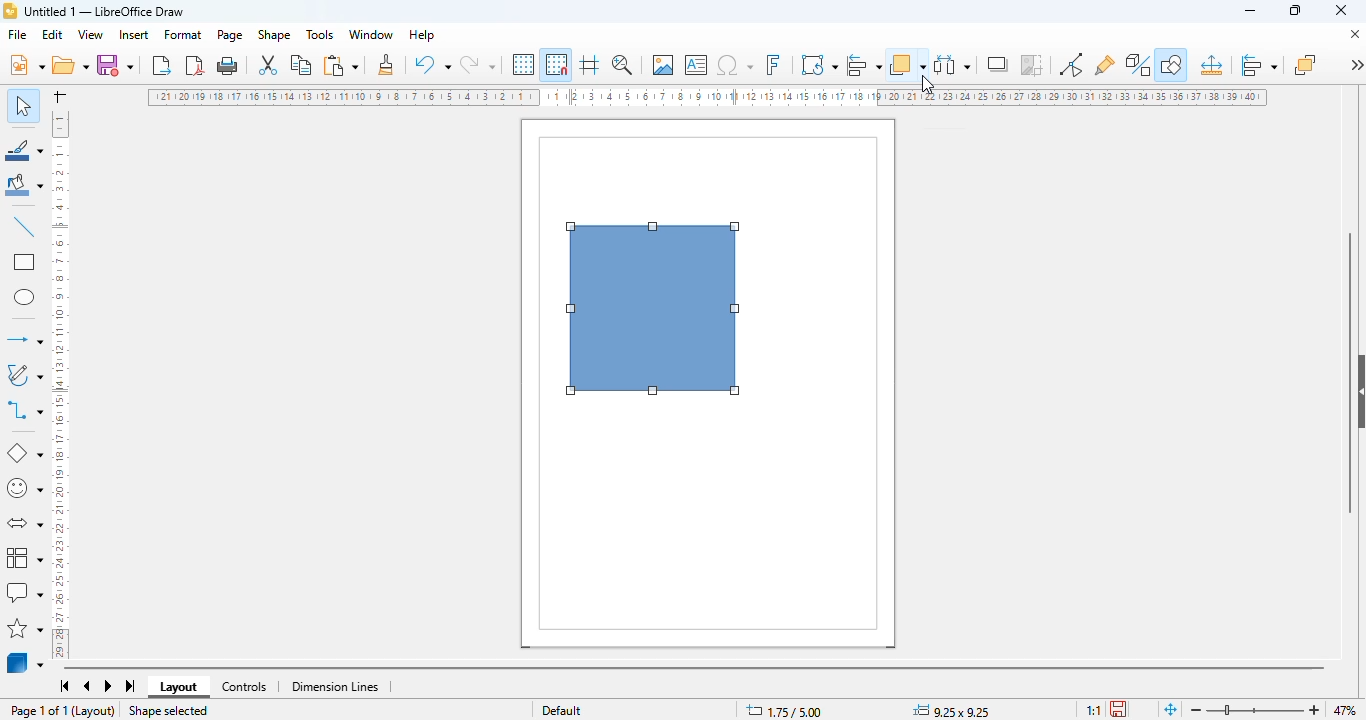  What do you see at coordinates (1033, 65) in the screenshot?
I see `crop image` at bounding box center [1033, 65].